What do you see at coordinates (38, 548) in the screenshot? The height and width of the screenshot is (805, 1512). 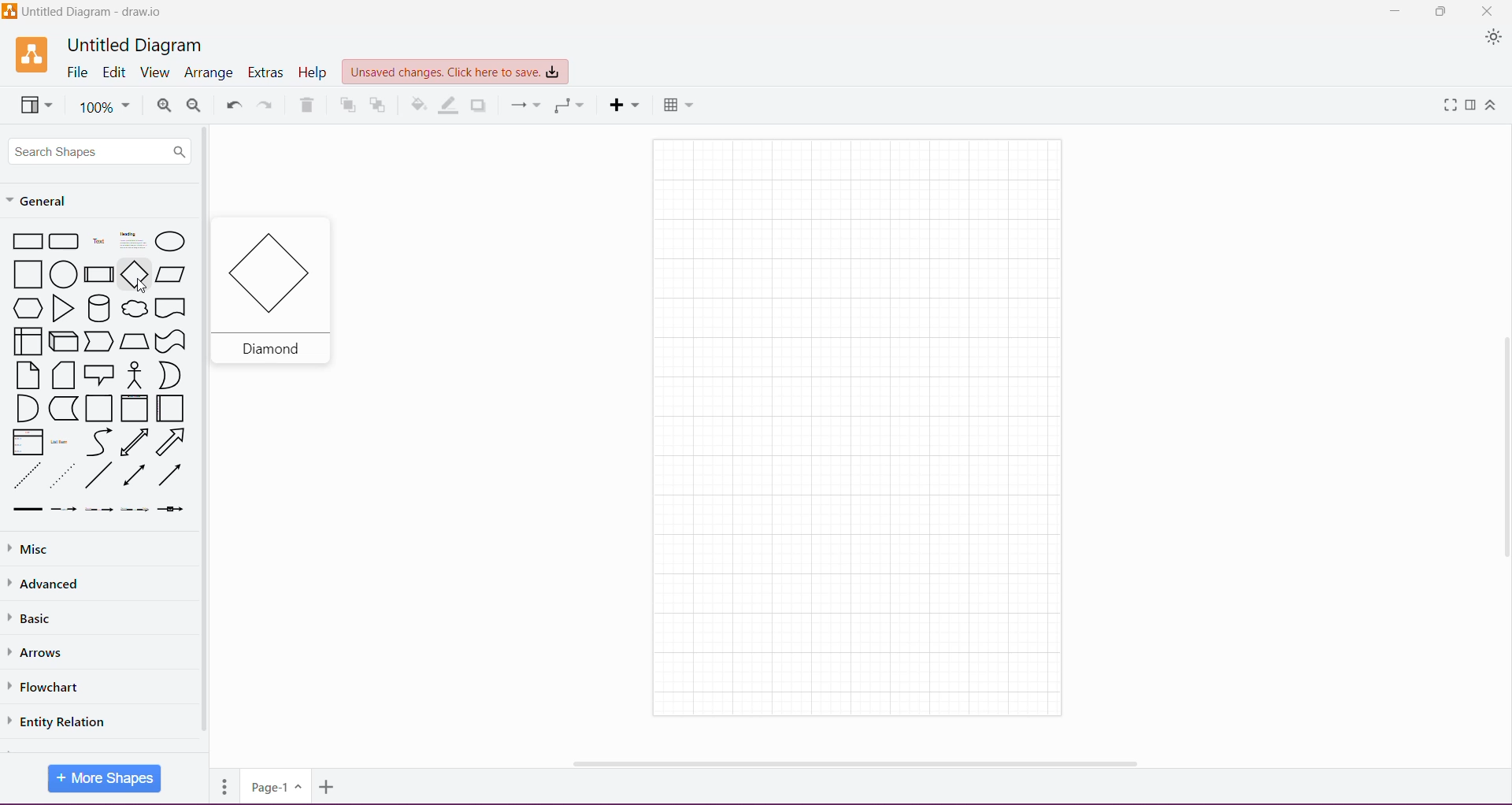 I see `Misc` at bounding box center [38, 548].